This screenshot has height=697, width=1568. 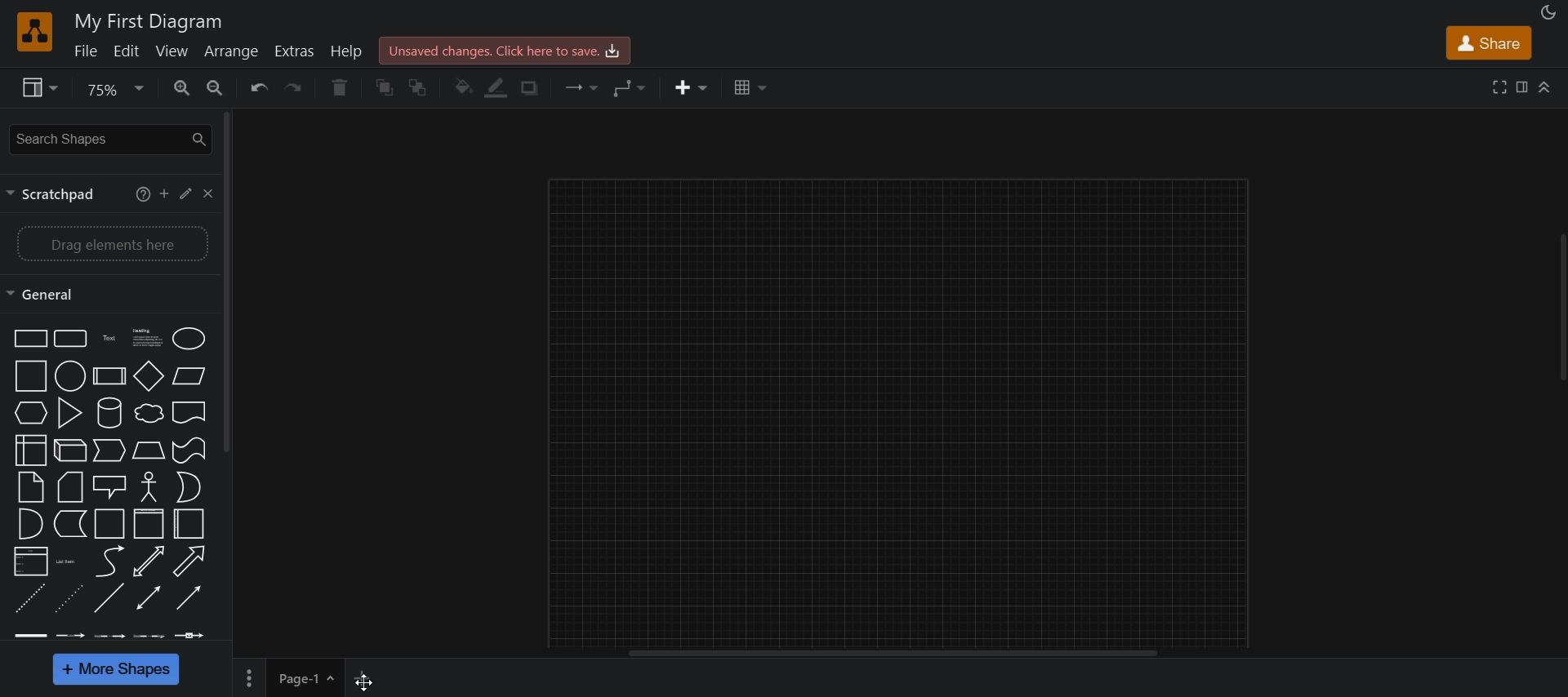 What do you see at coordinates (537, 89) in the screenshot?
I see `shadow` at bounding box center [537, 89].